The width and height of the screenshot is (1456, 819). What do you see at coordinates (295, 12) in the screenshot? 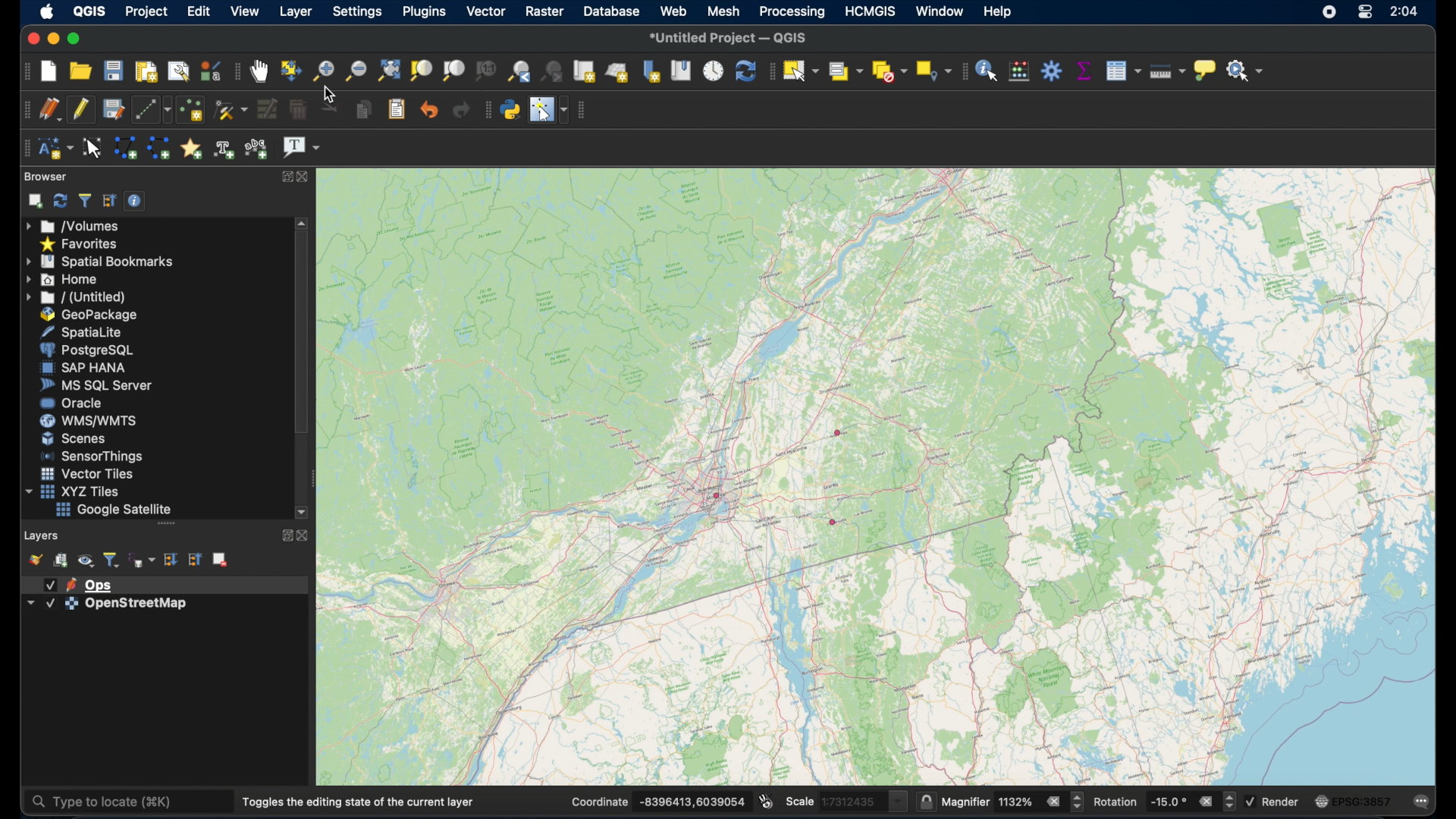
I see `layer` at bounding box center [295, 12].